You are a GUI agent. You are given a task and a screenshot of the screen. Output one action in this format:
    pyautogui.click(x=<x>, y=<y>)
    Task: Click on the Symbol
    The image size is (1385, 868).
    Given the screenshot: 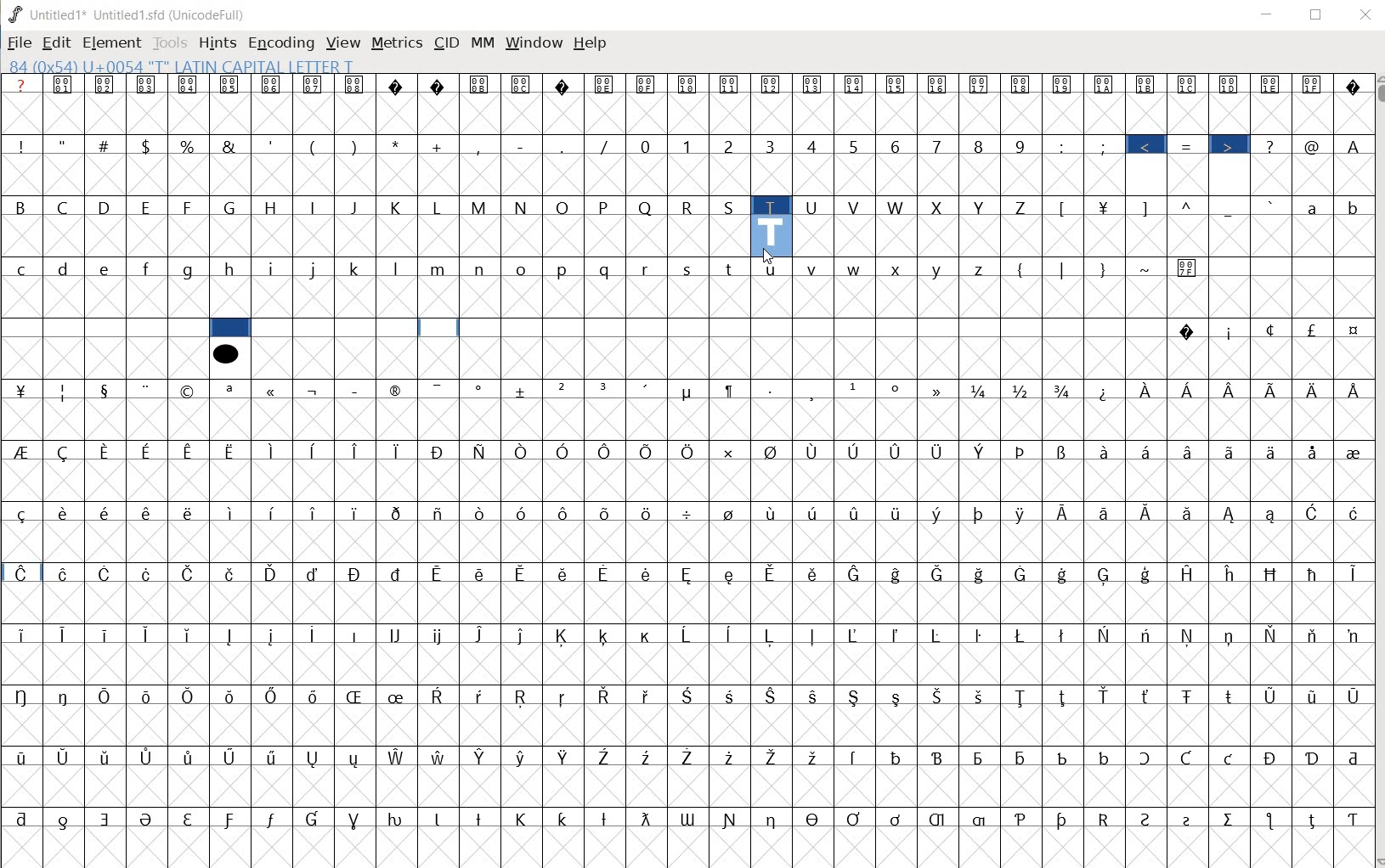 What is the action you would take?
    pyautogui.click(x=106, y=758)
    